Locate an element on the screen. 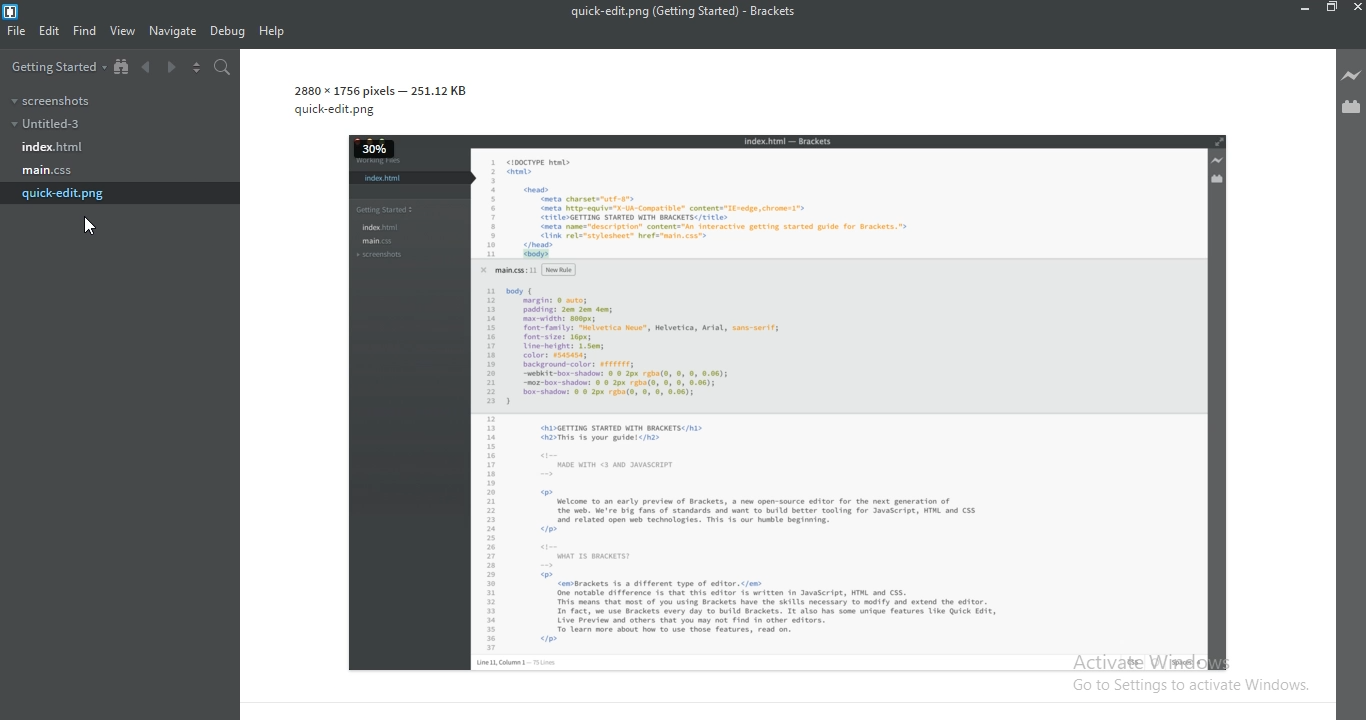 This screenshot has height=720, width=1366. restore is located at coordinates (1331, 8).